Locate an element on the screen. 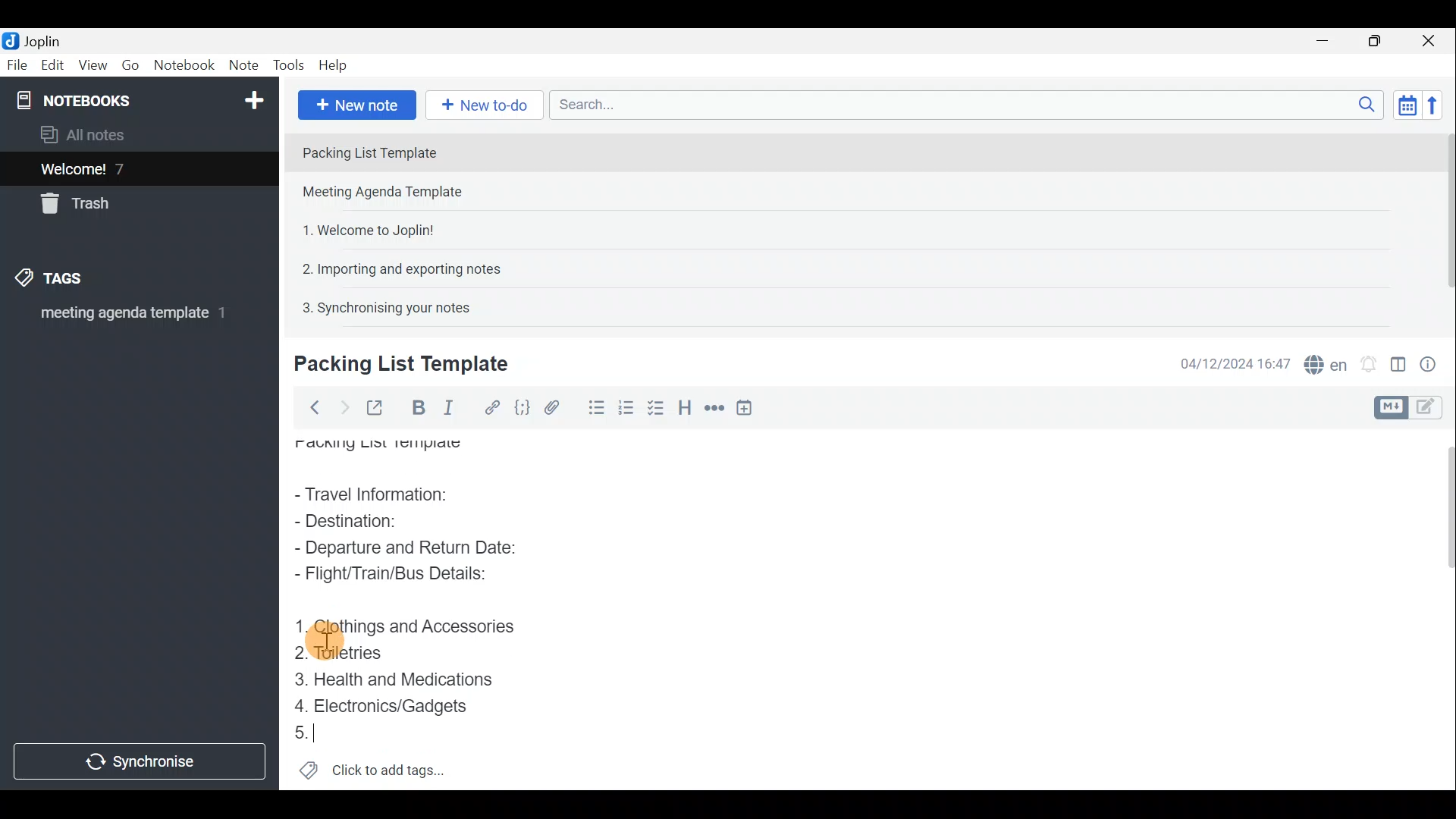 The width and height of the screenshot is (1456, 819). New to-do is located at coordinates (485, 105).